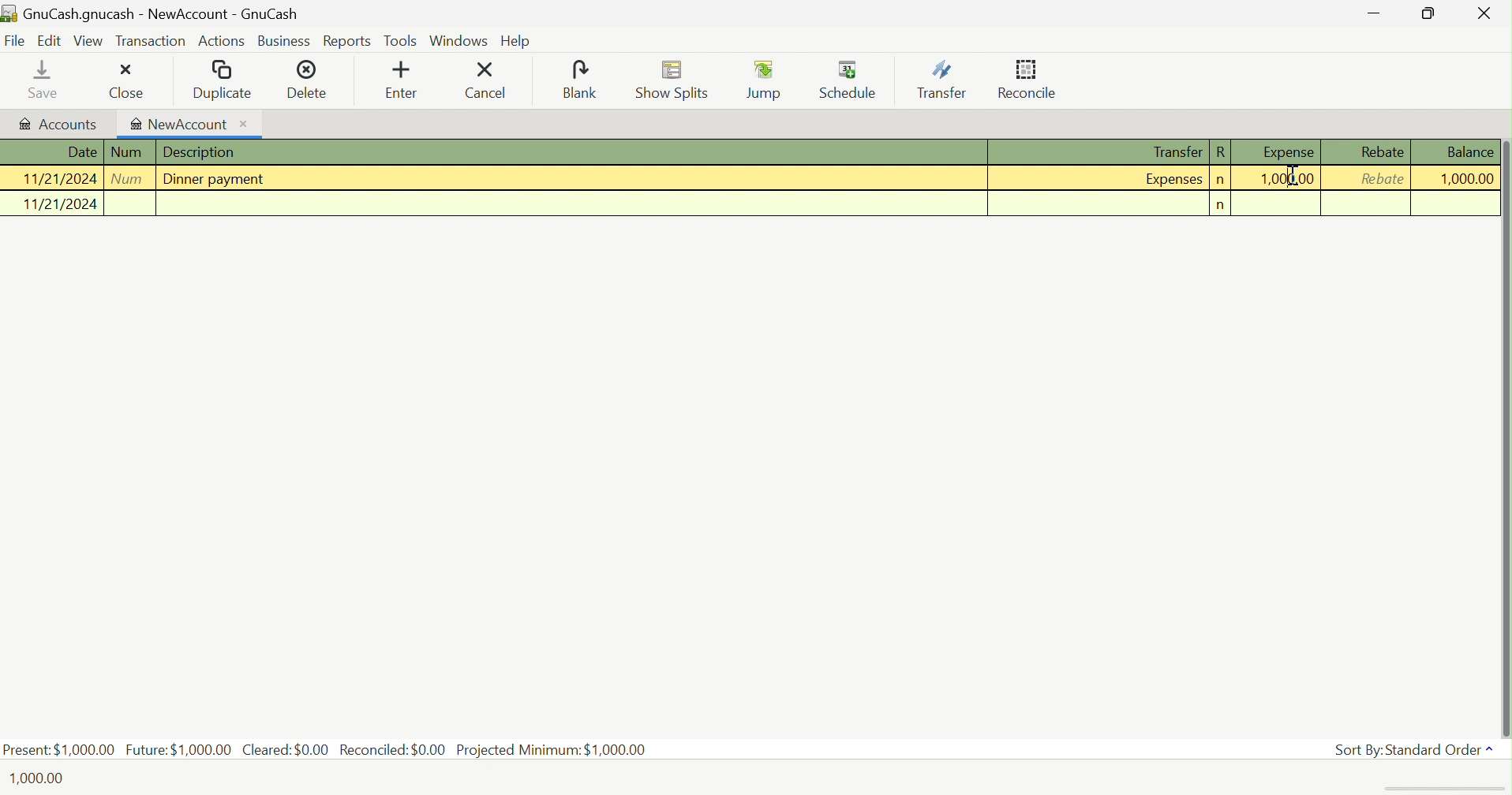 The height and width of the screenshot is (795, 1512). Describe the element at coordinates (314, 78) in the screenshot. I see `Delete` at that location.